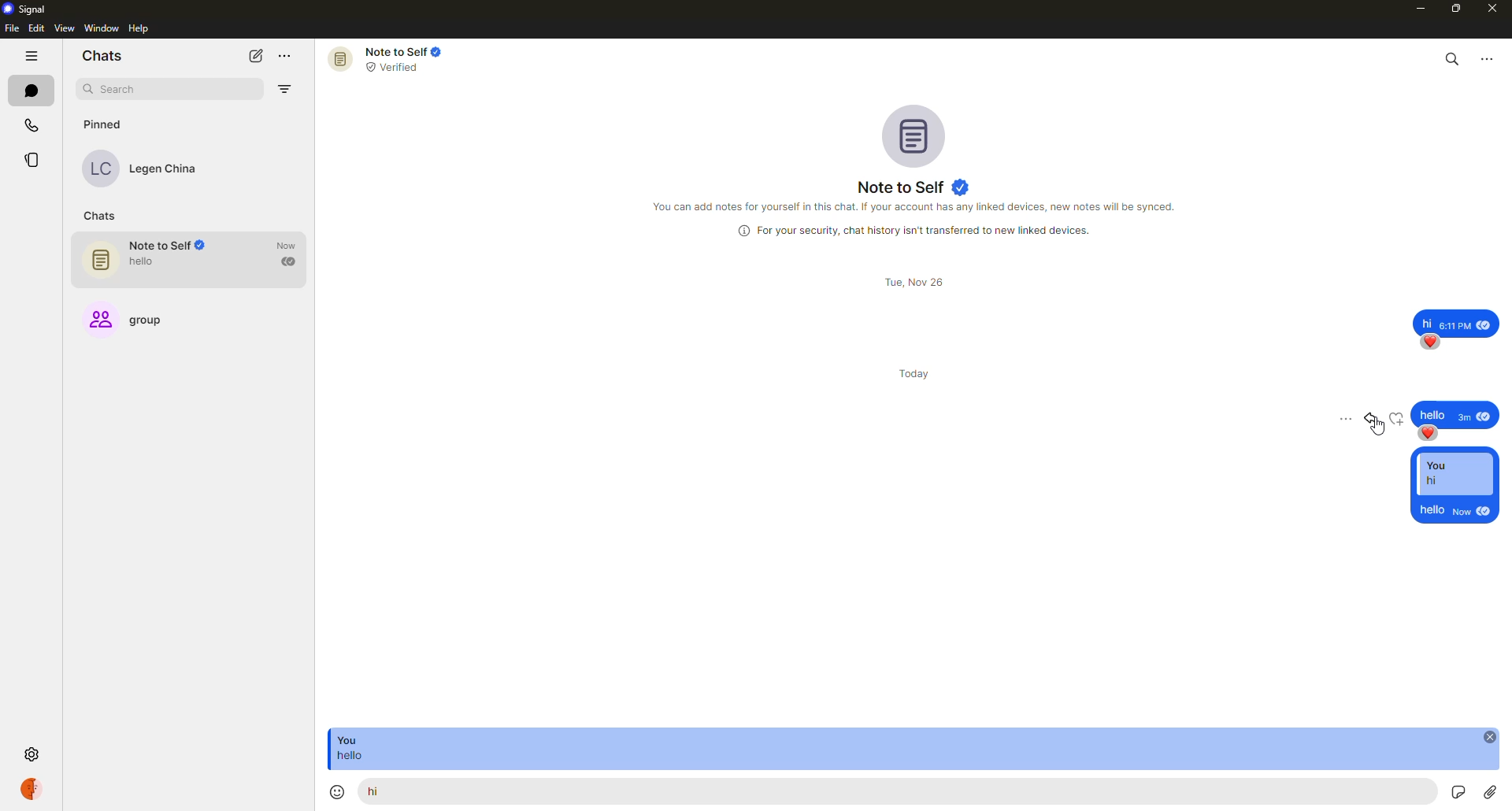 The image size is (1512, 811). I want to click on pinned, so click(103, 126).